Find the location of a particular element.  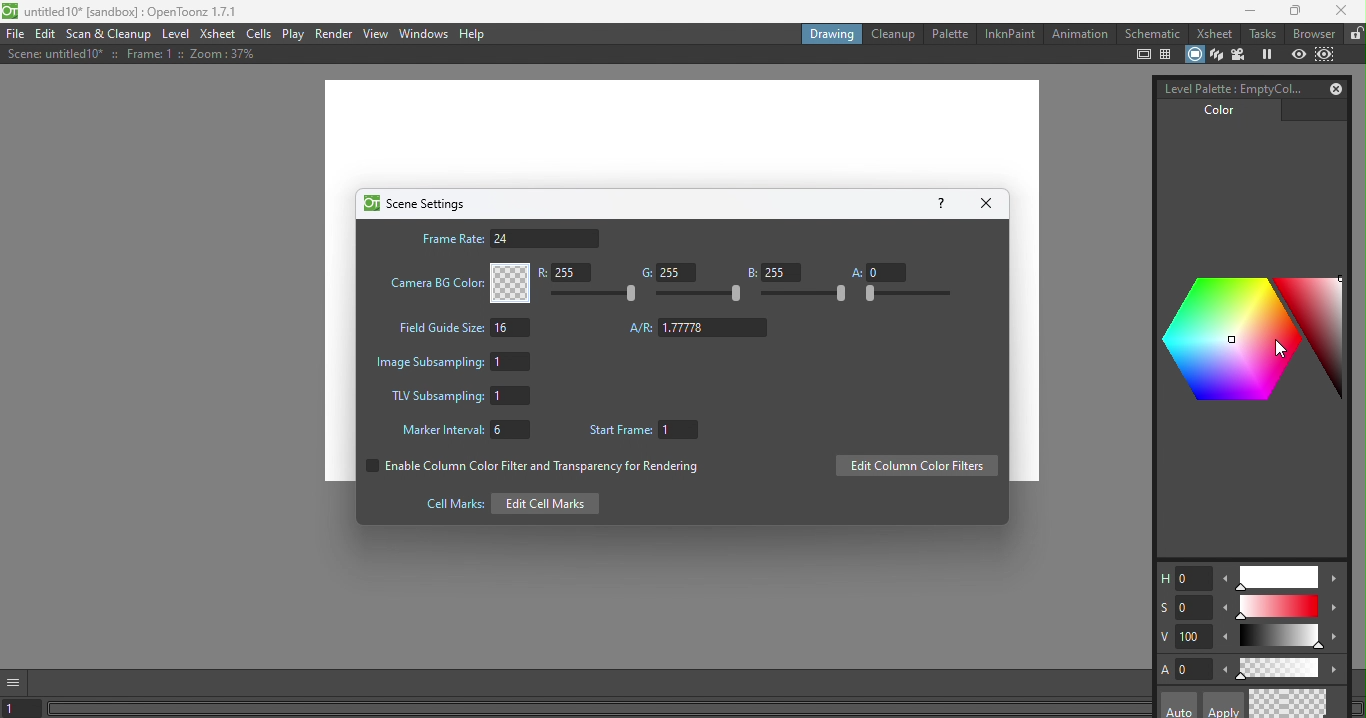

Decrease is located at coordinates (1226, 582).